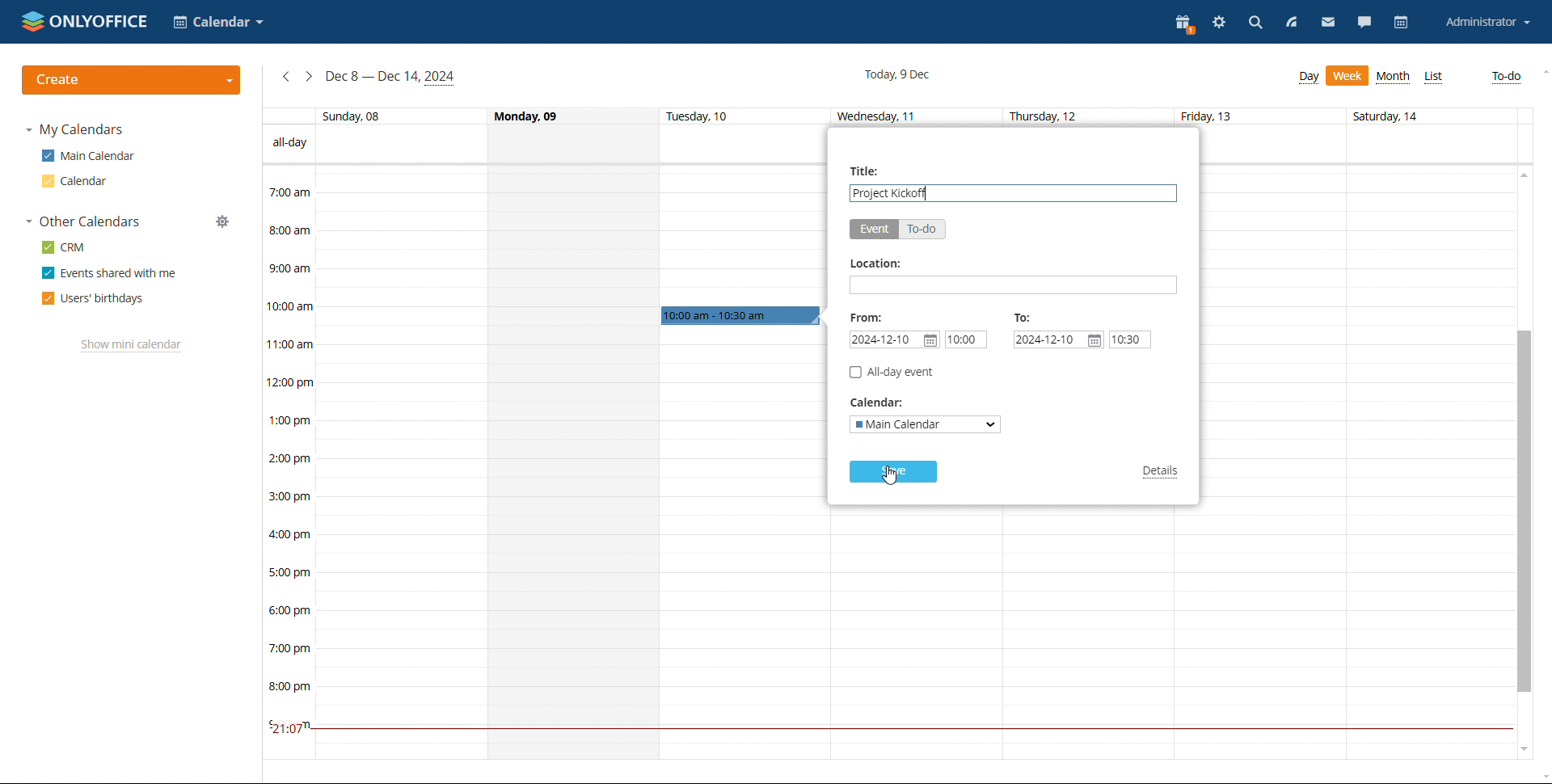 The width and height of the screenshot is (1552, 784). I want to click on start time, so click(965, 339).